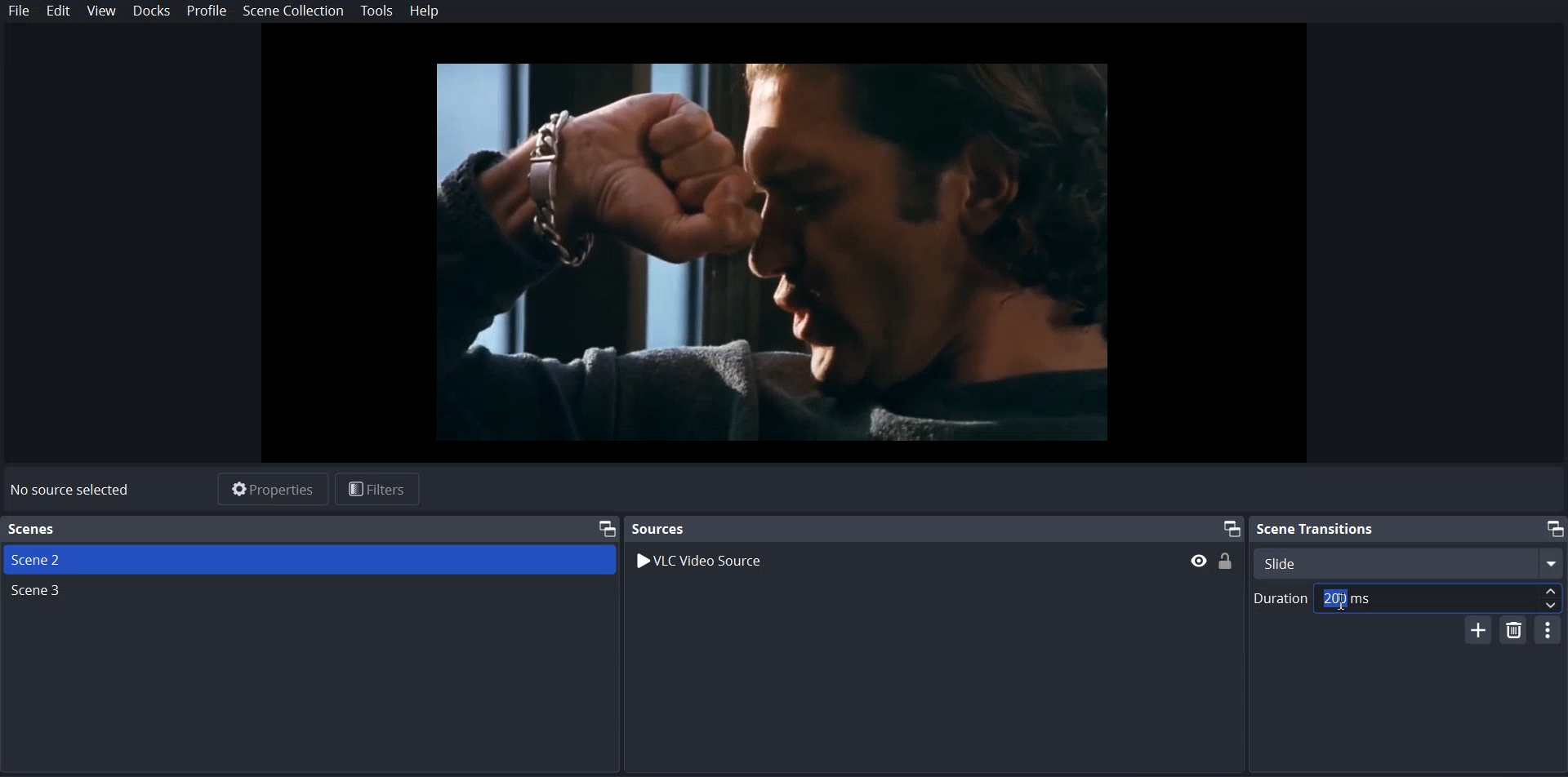 The image size is (1568, 777). What do you see at coordinates (310, 529) in the screenshot?
I see `Text 1` at bounding box center [310, 529].